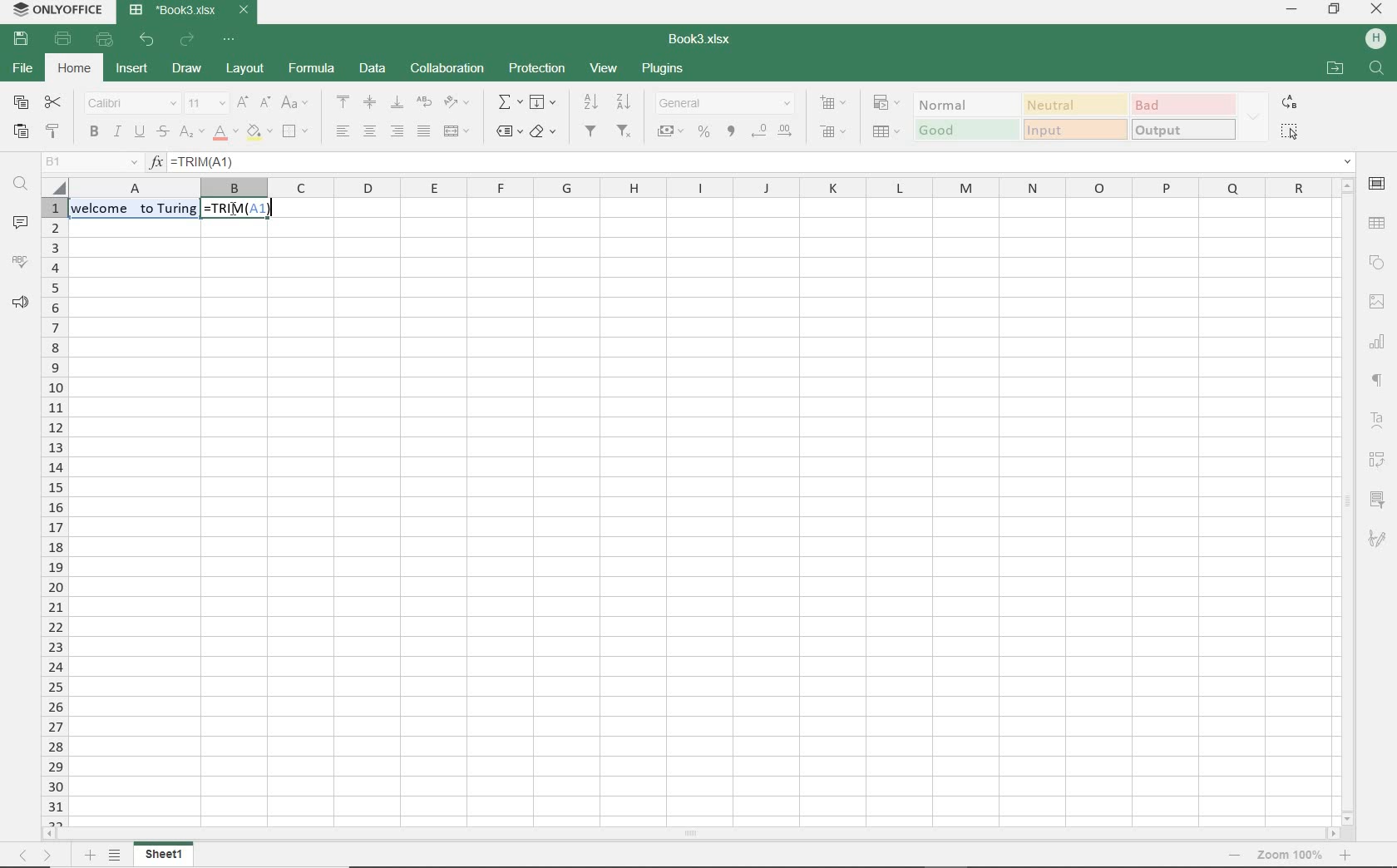  What do you see at coordinates (1376, 67) in the screenshot?
I see `FIND` at bounding box center [1376, 67].